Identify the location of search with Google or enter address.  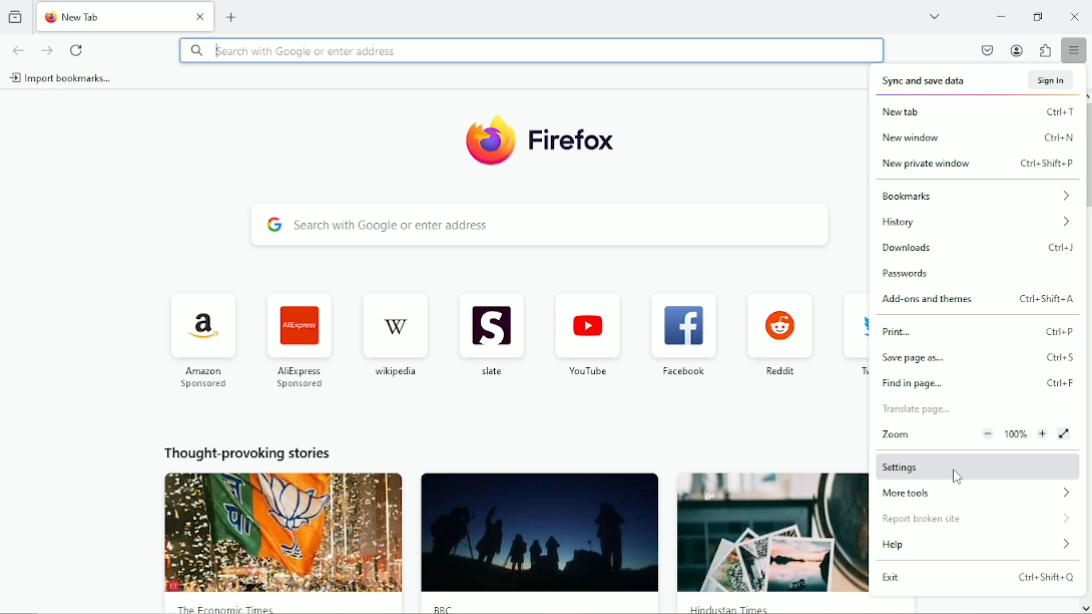
(530, 49).